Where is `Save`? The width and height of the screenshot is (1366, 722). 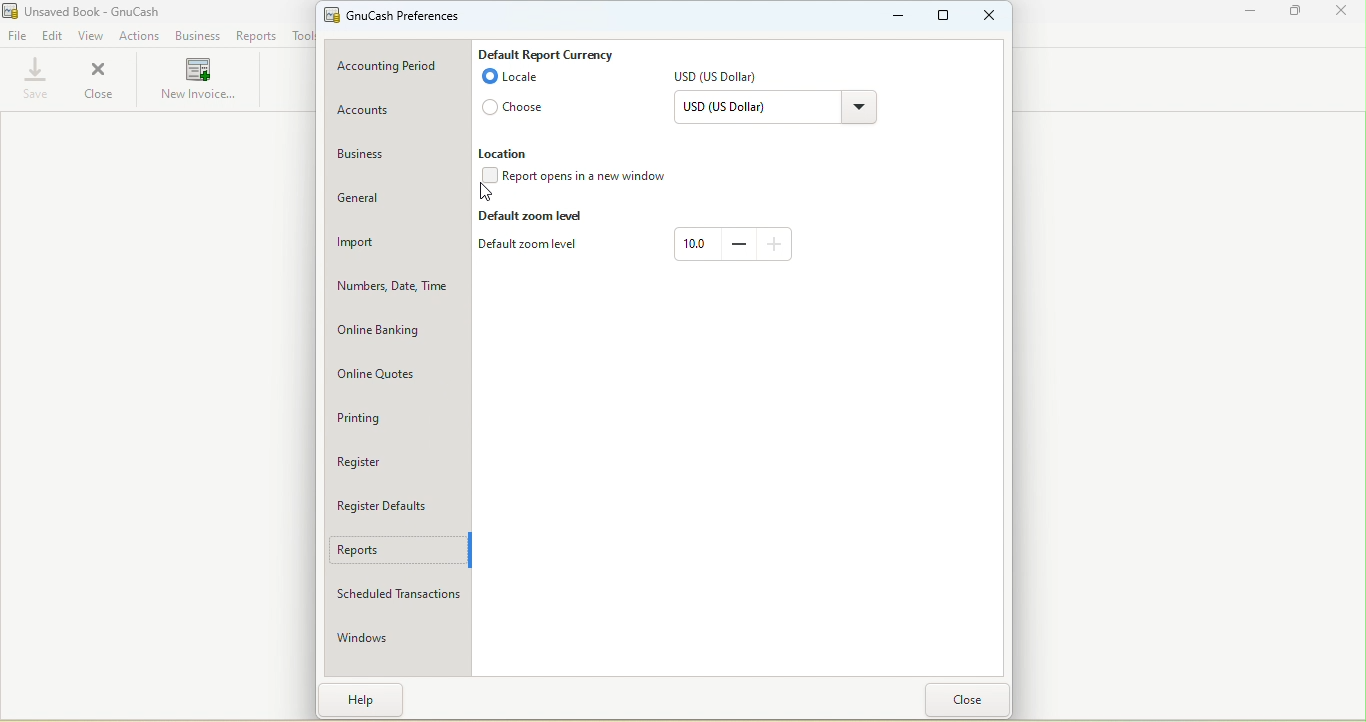 Save is located at coordinates (31, 81).